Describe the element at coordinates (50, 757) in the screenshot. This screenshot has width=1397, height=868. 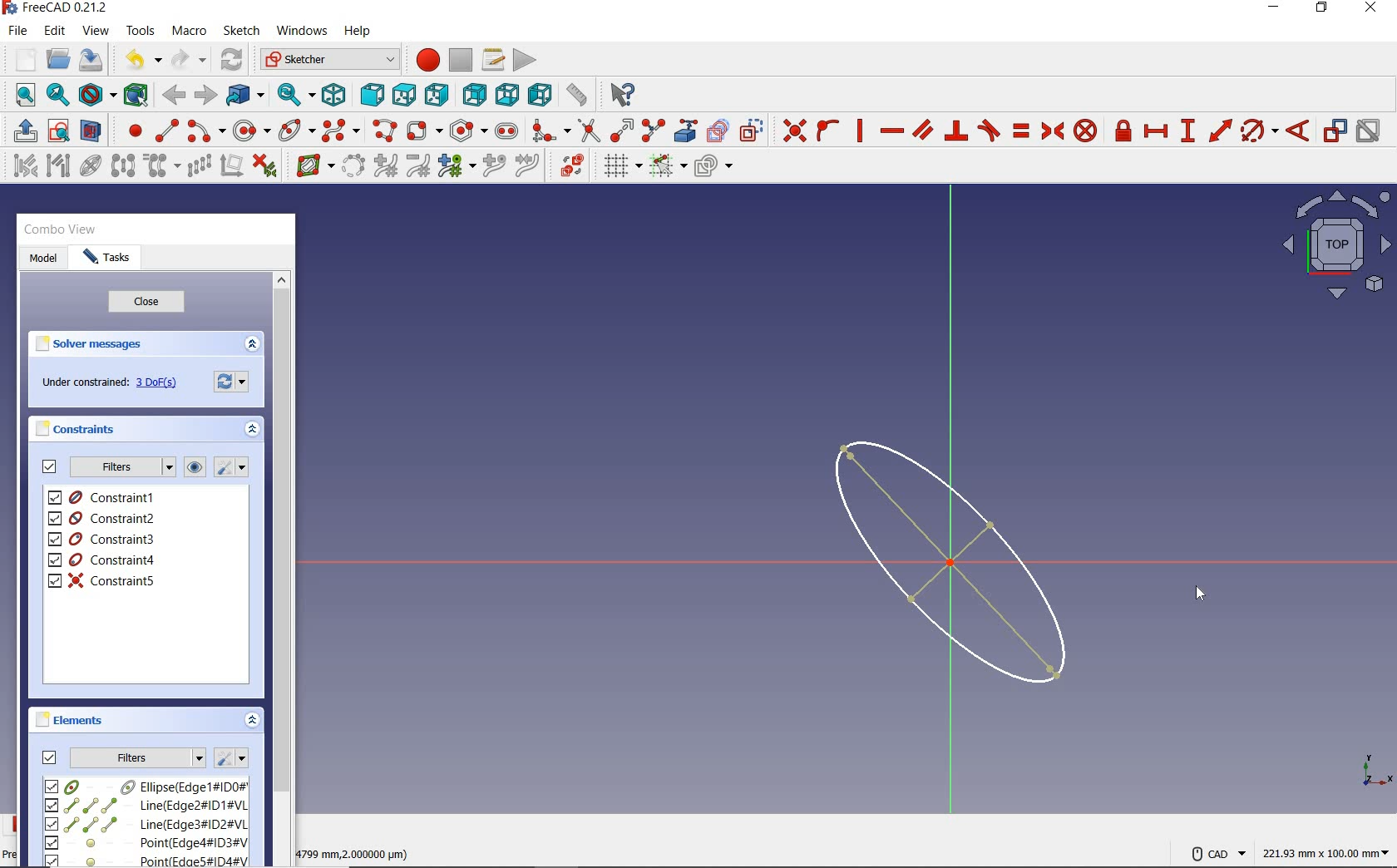
I see `check to toggle filters` at that location.